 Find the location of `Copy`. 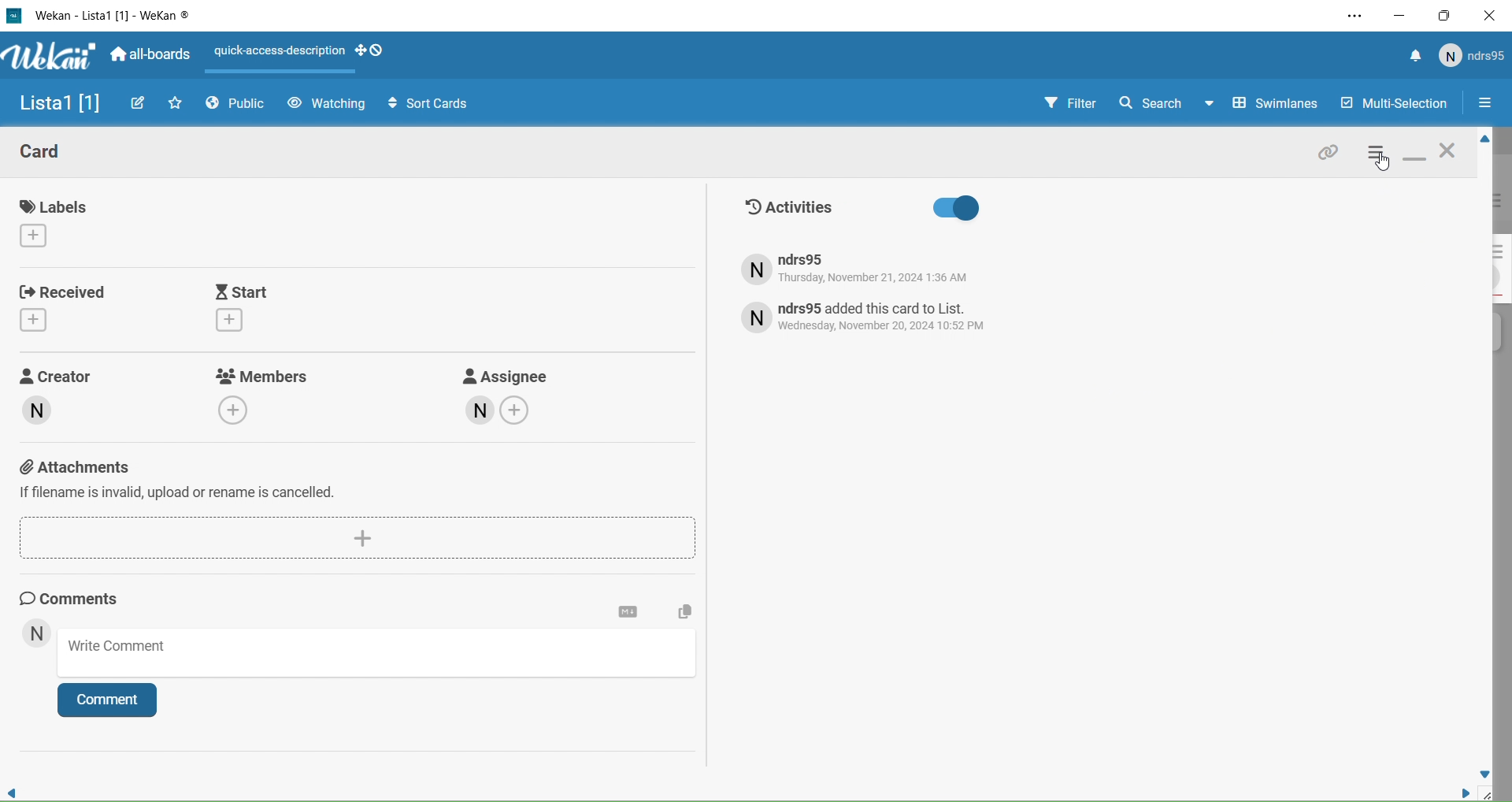

Copy is located at coordinates (682, 603).